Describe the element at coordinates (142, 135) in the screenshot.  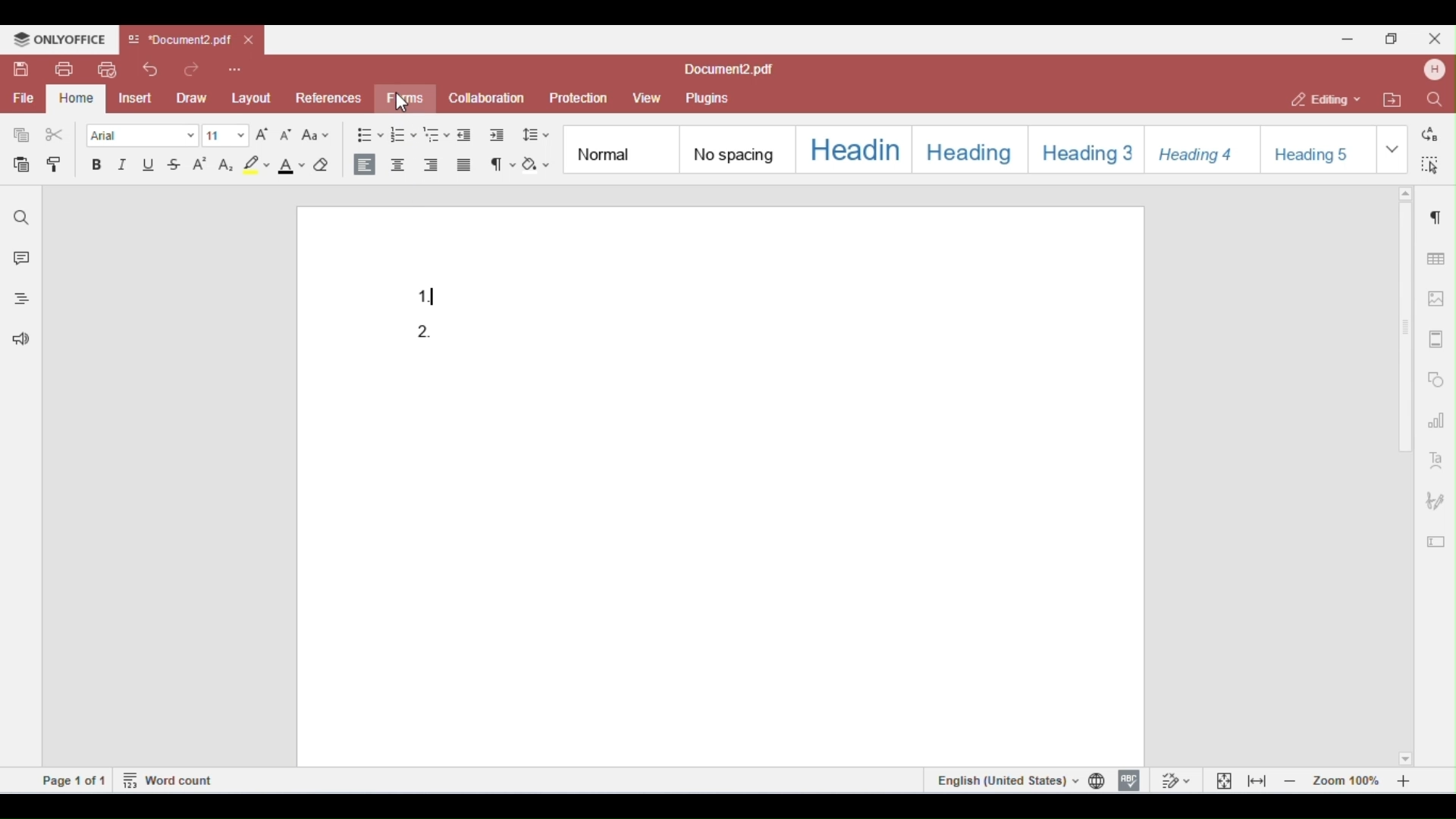
I see `font style` at that location.